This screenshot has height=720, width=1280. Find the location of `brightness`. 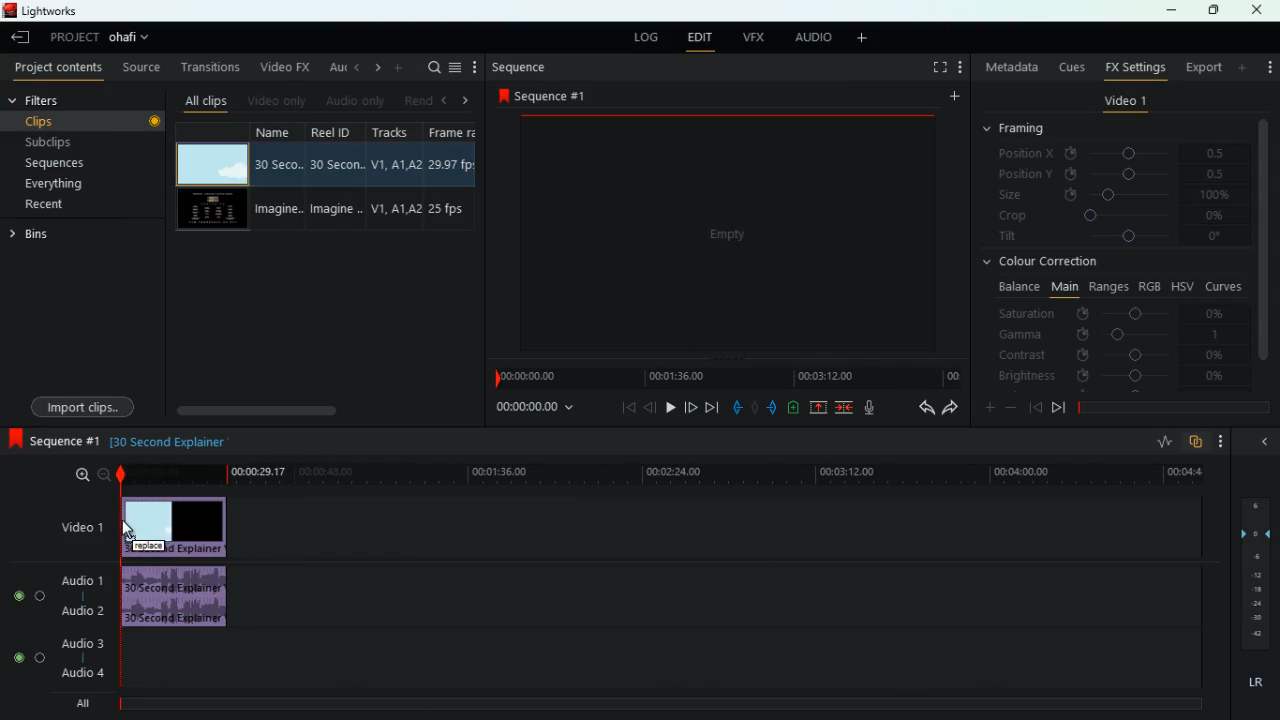

brightness is located at coordinates (1113, 377).